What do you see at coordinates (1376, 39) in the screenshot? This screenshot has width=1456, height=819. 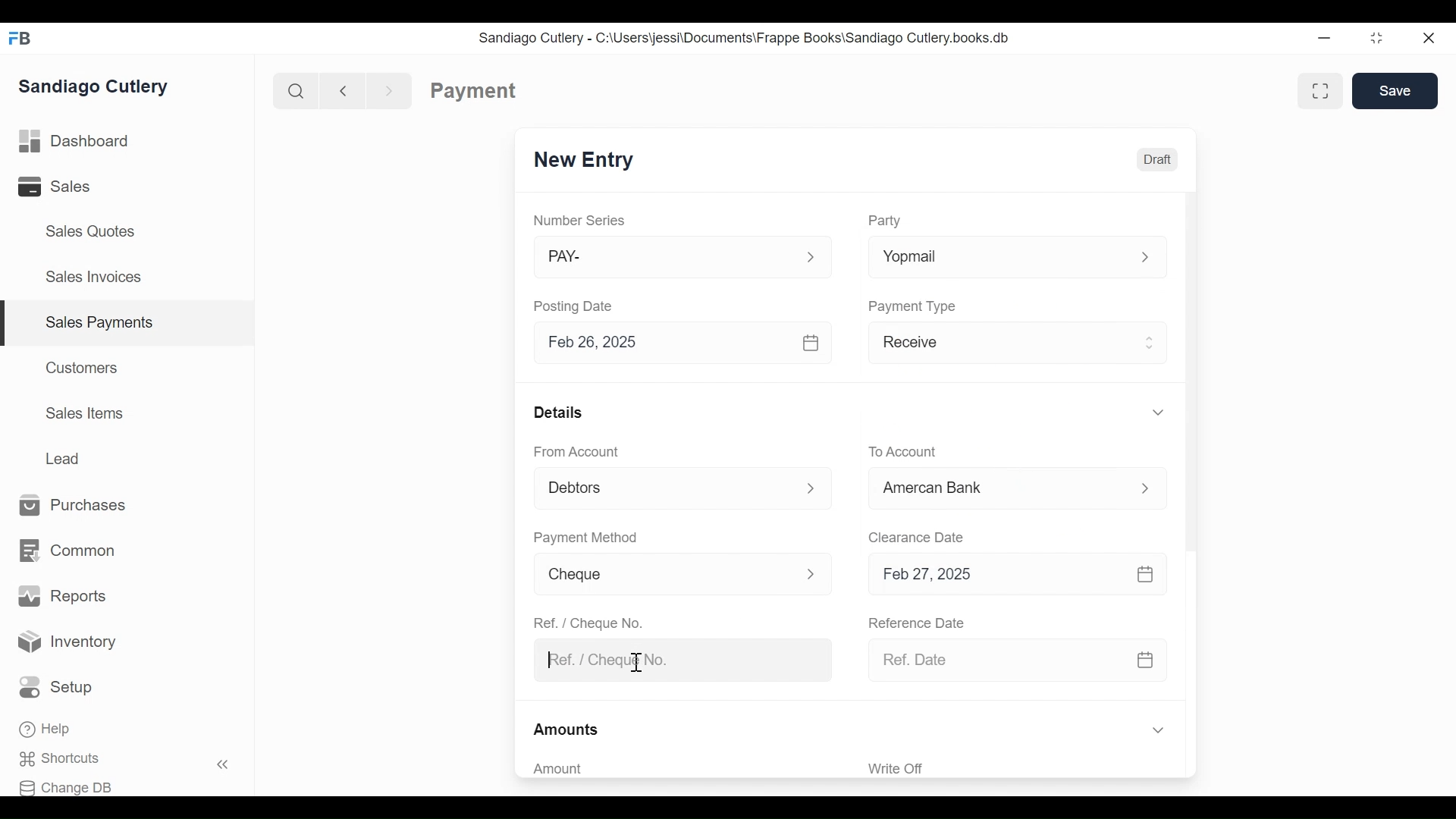 I see `Restore` at bounding box center [1376, 39].